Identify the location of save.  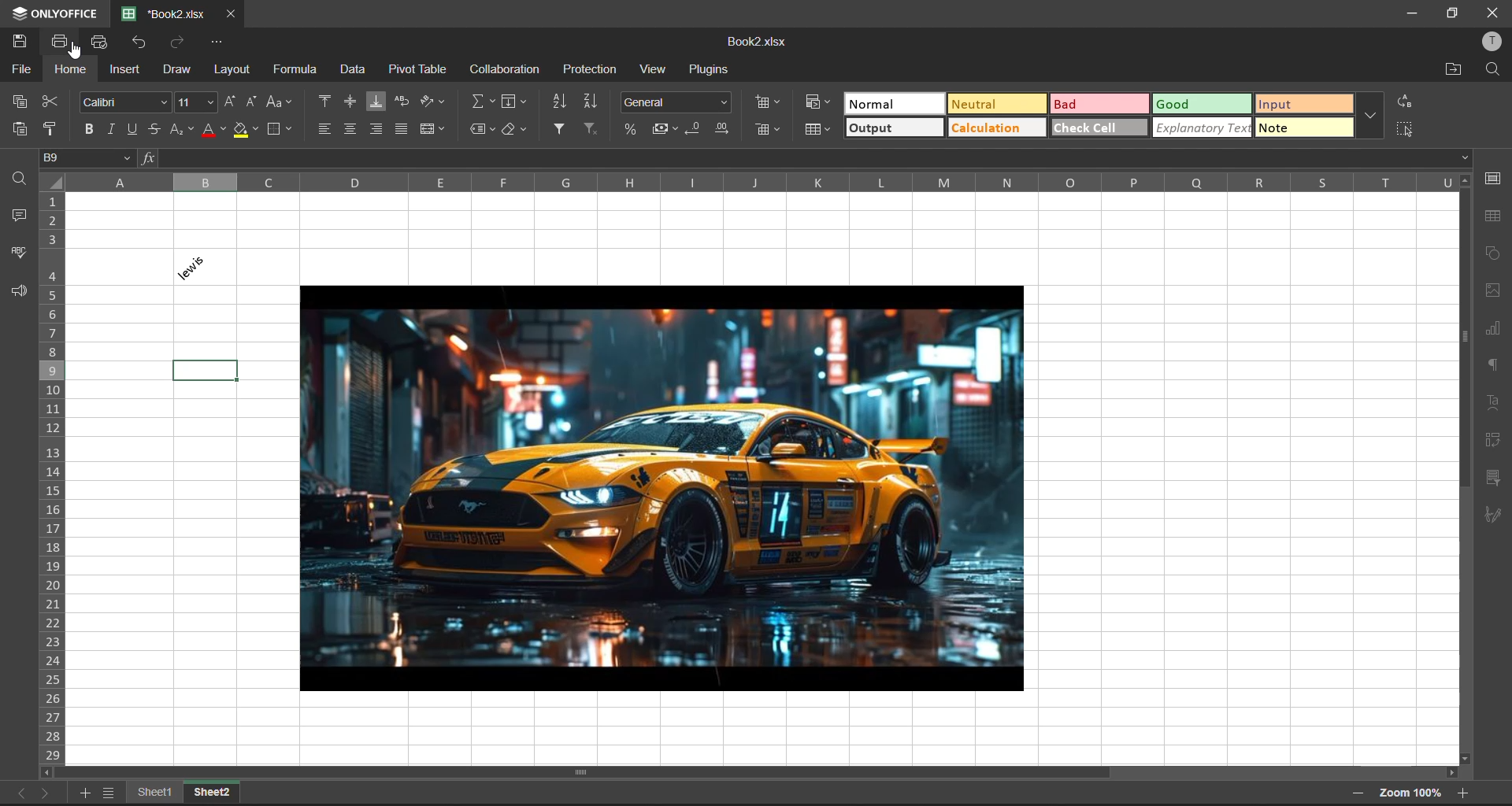
(24, 40).